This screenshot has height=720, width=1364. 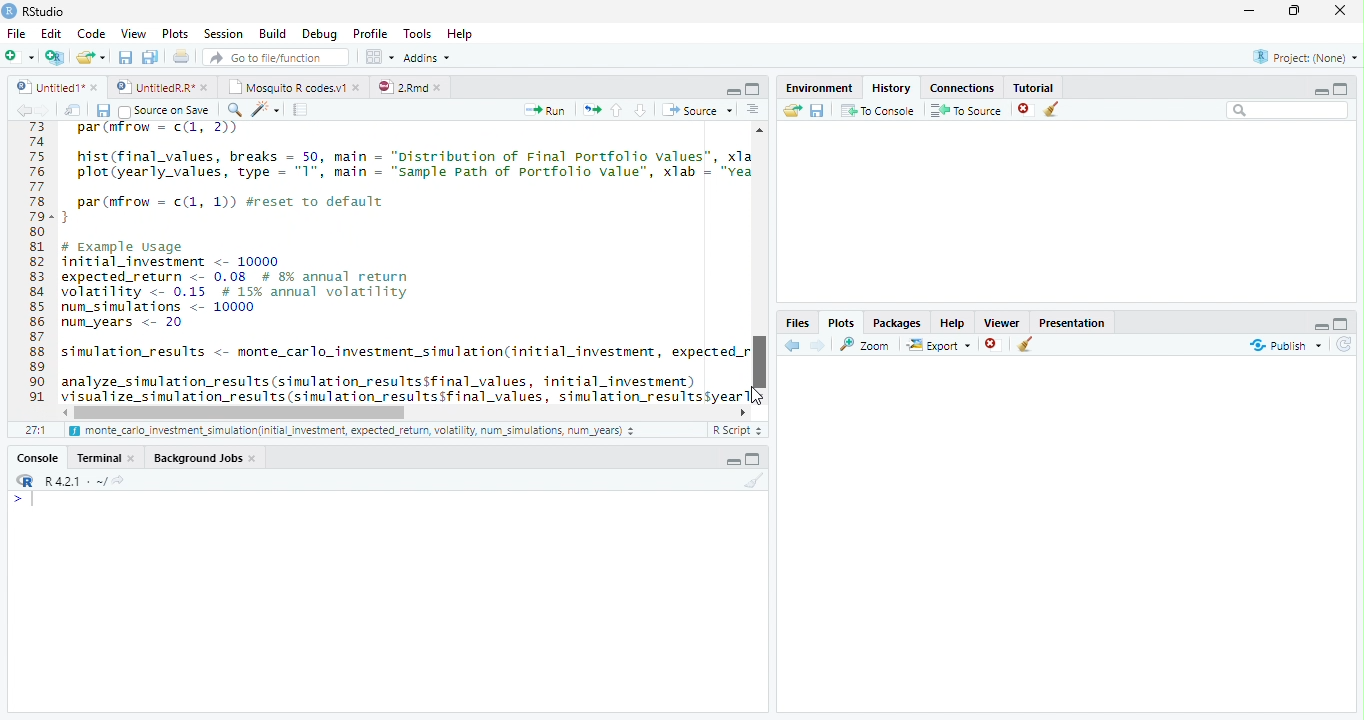 I want to click on Save all open files, so click(x=149, y=57).